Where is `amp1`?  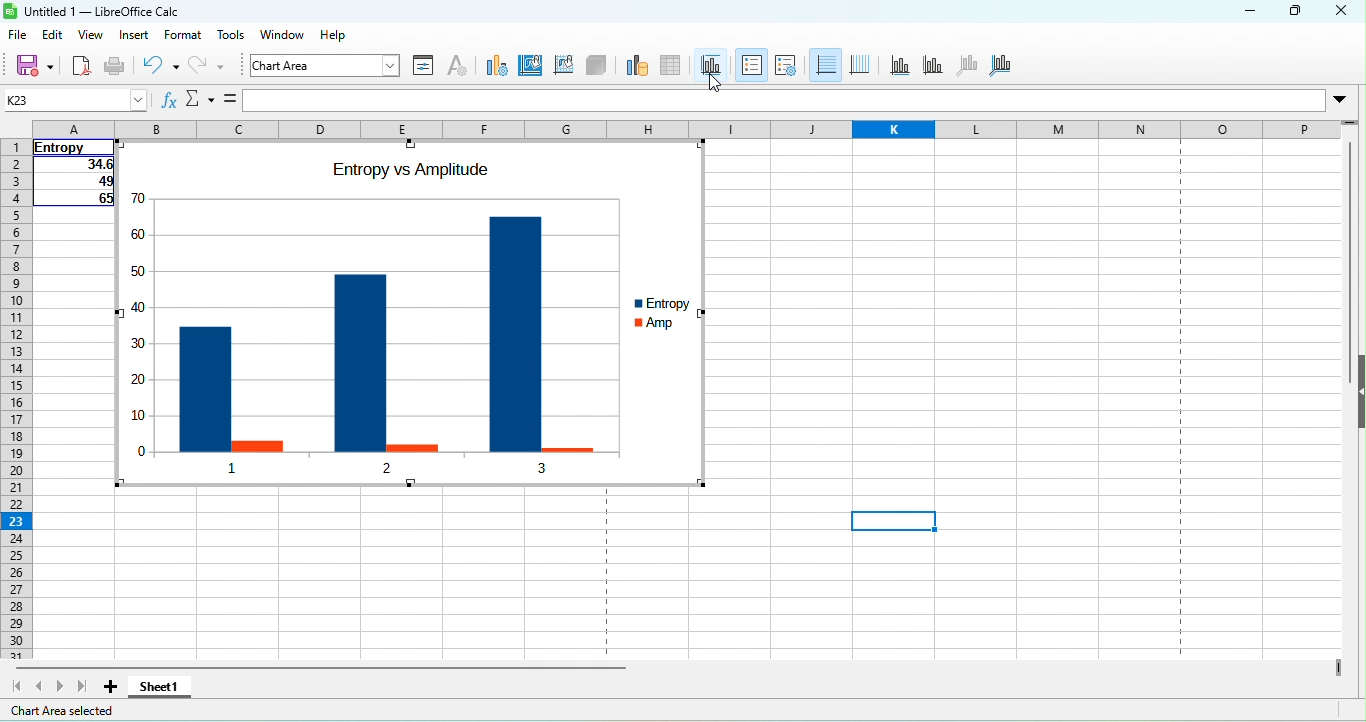
amp1 is located at coordinates (258, 444).